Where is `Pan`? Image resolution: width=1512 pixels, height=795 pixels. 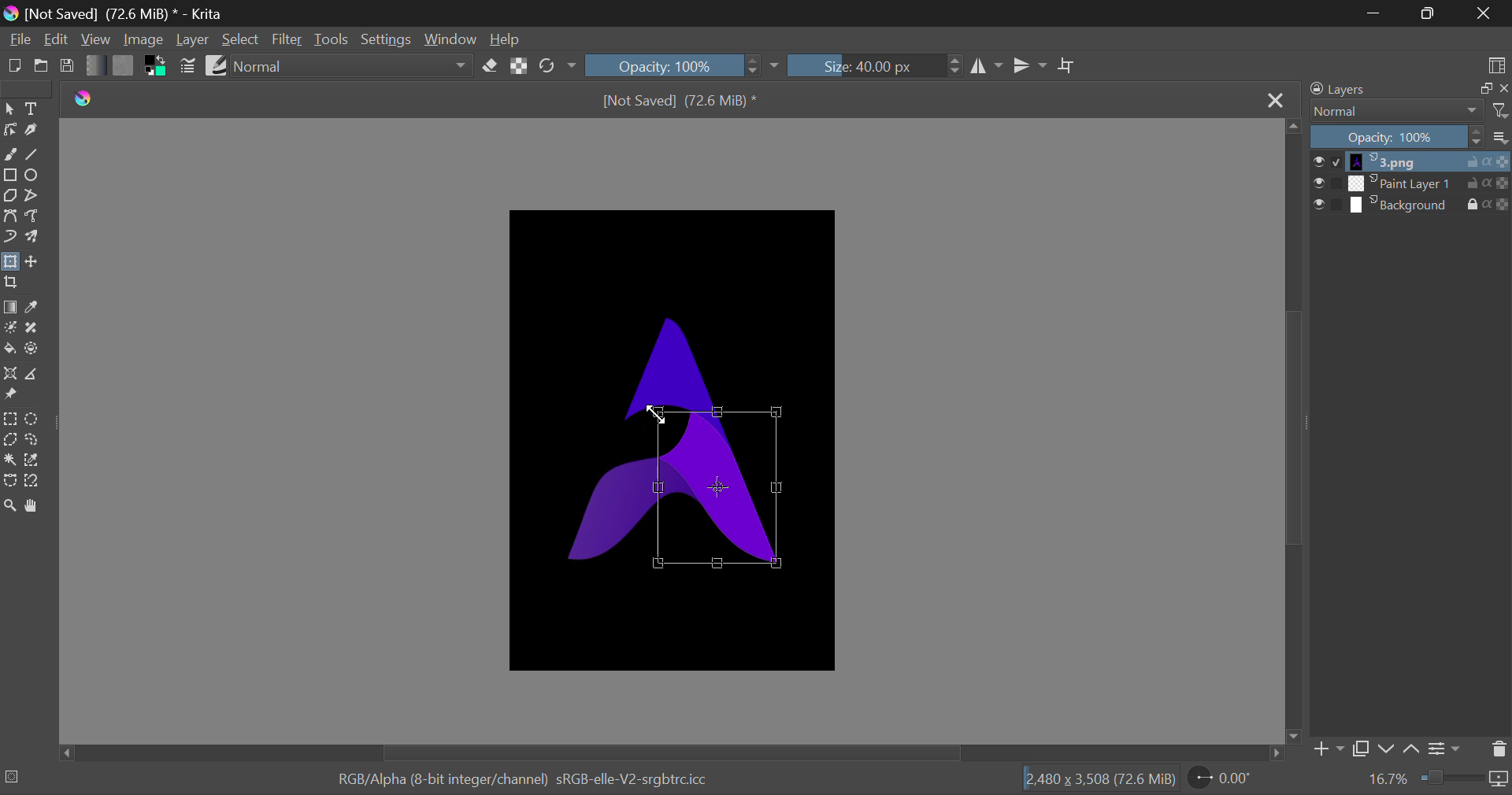
Pan is located at coordinates (36, 505).